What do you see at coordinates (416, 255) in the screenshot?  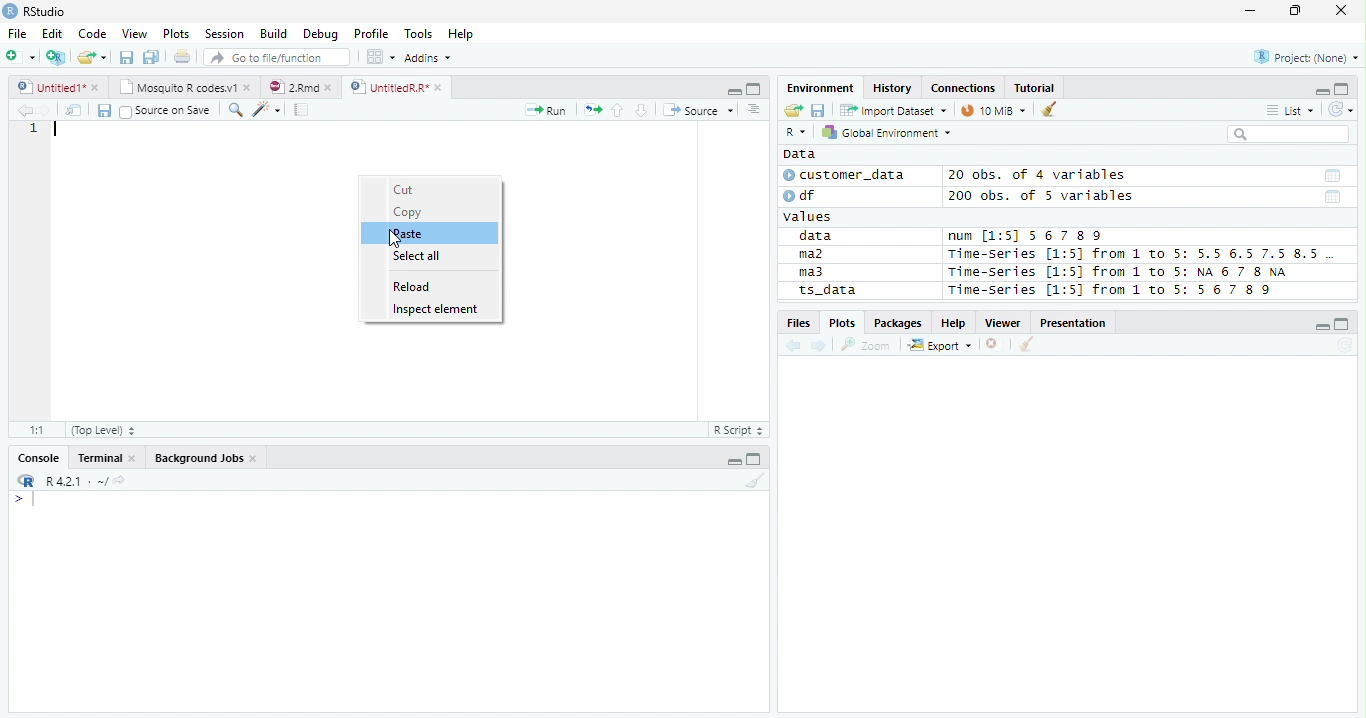 I see `Select all` at bounding box center [416, 255].